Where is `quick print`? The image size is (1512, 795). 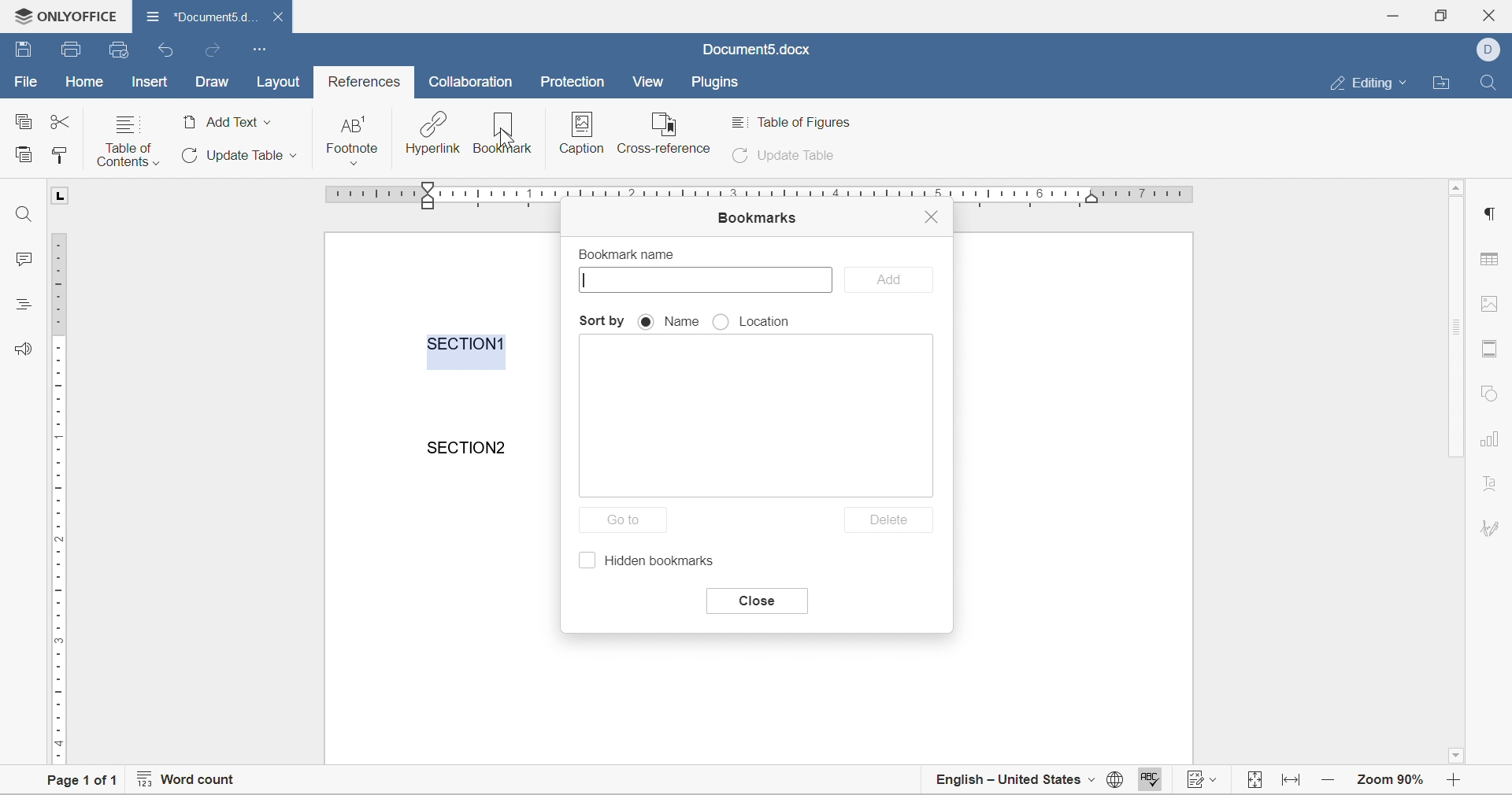 quick print is located at coordinates (120, 49).